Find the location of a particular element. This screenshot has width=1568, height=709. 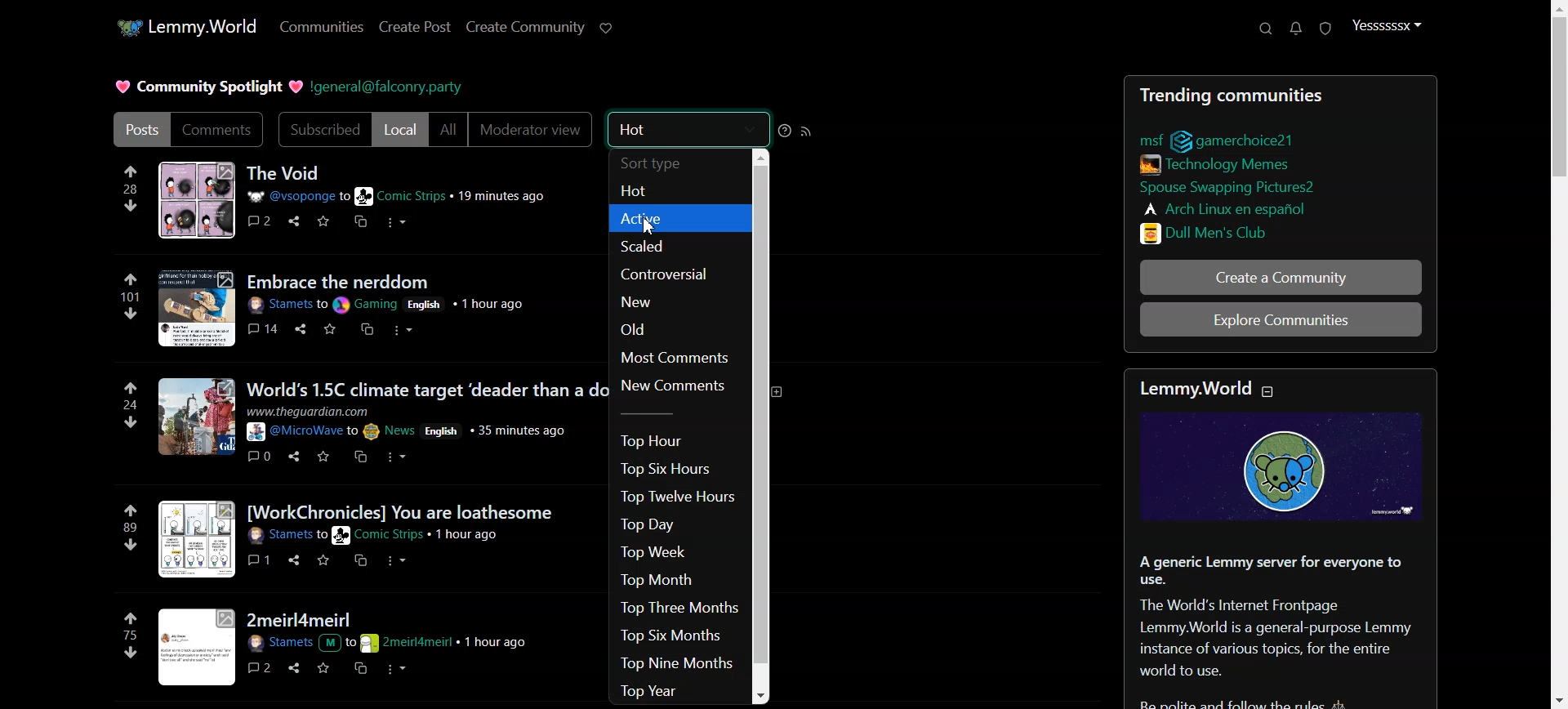

post details is located at coordinates (375, 536).